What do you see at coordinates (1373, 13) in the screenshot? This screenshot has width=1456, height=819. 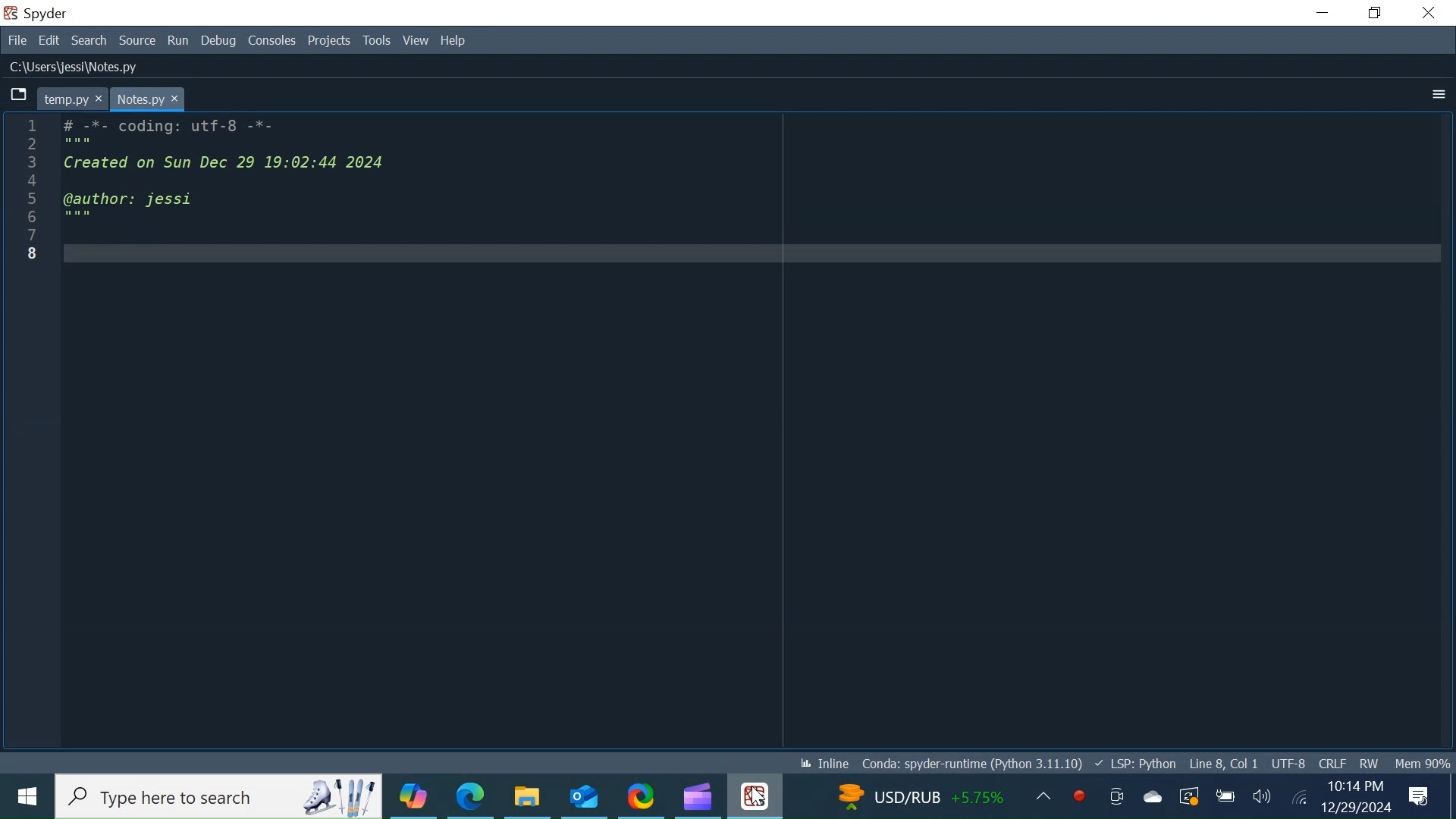 I see `Restore` at bounding box center [1373, 13].